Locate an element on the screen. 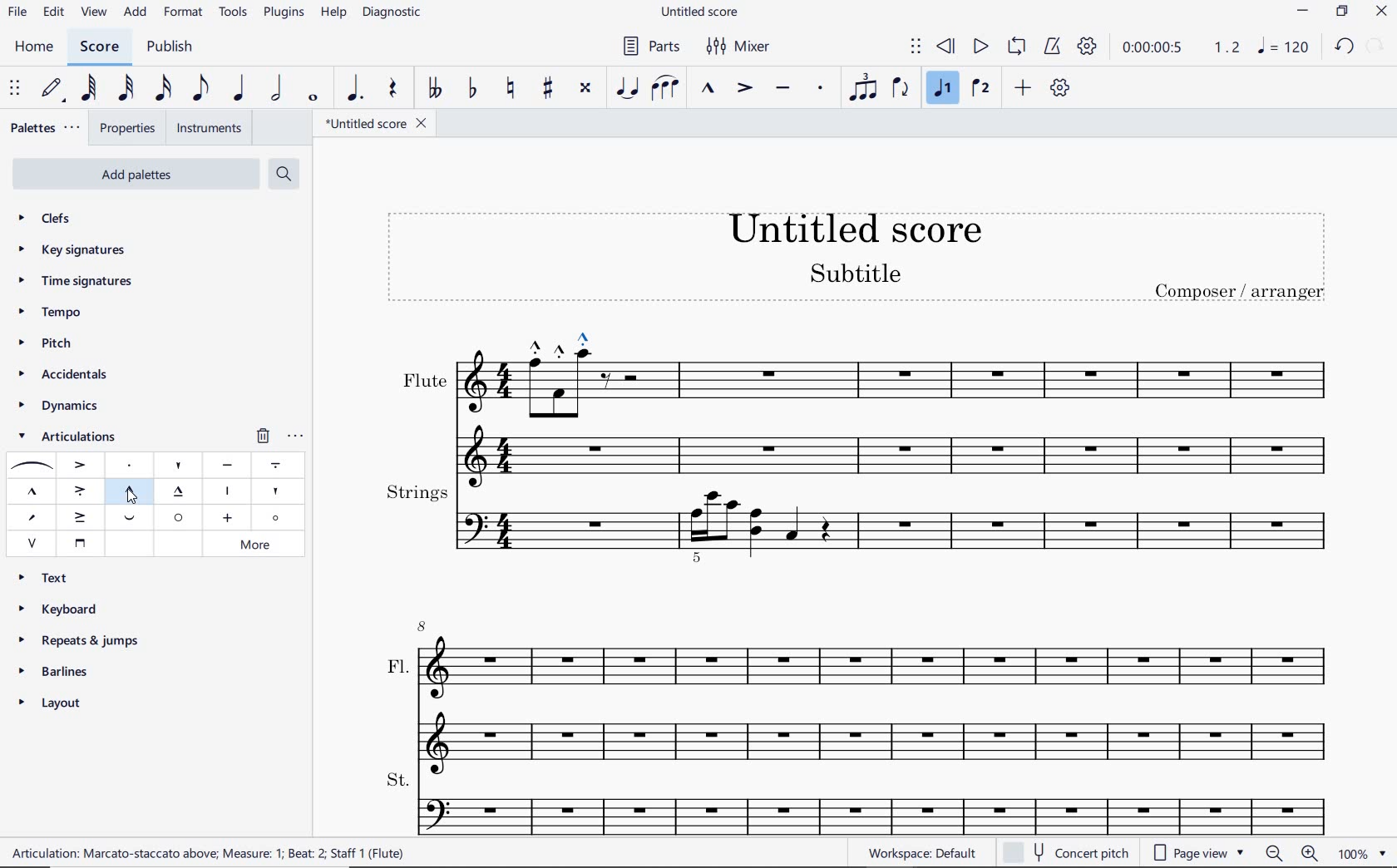 This screenshot has width=1397, height=868. SELECT TO MOVE is located at coordinates (15, 89).